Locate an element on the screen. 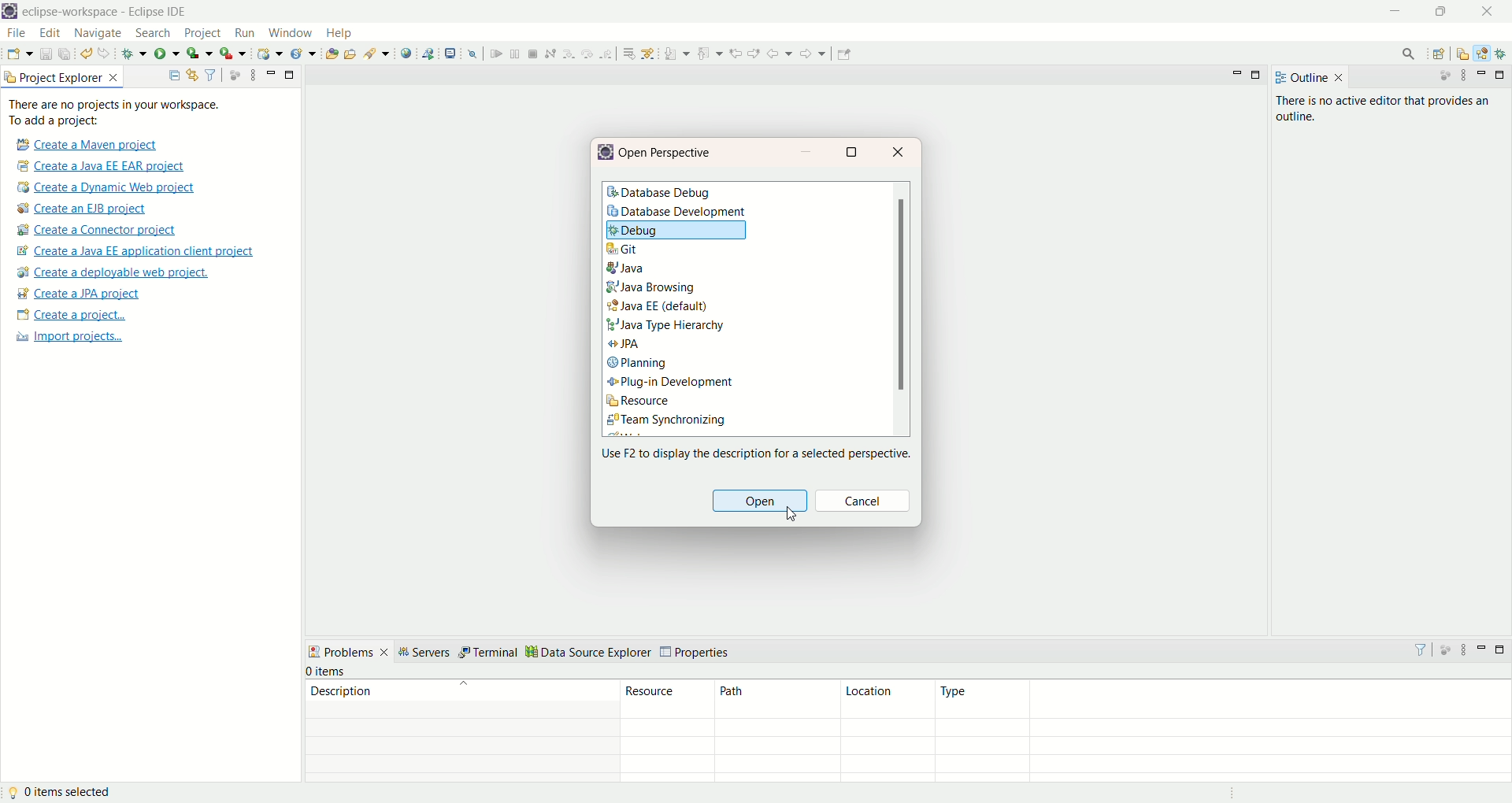  cancel is located at coordinates (865, 502).